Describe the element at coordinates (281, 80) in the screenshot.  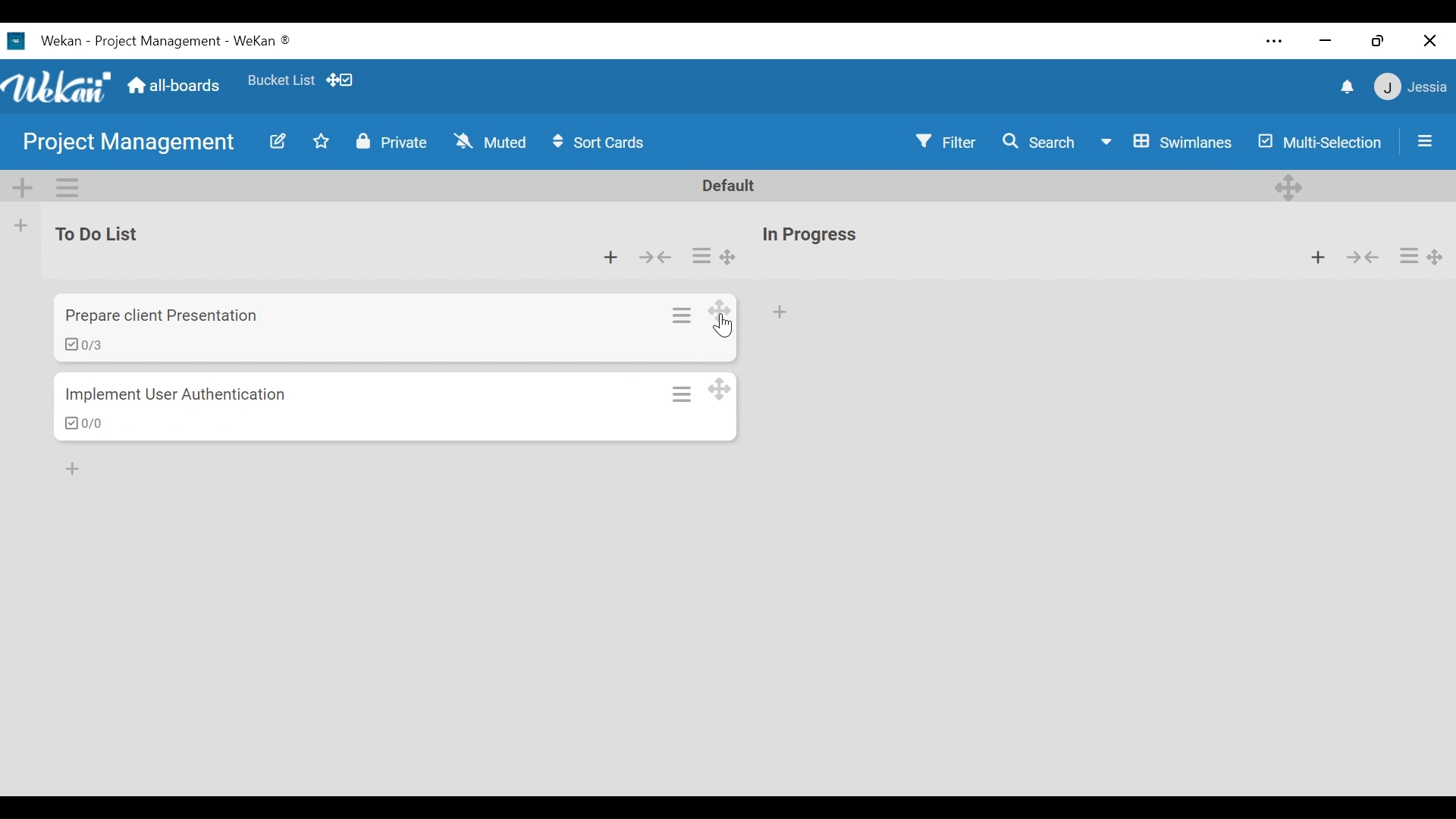
I see `Favorite` at that location.